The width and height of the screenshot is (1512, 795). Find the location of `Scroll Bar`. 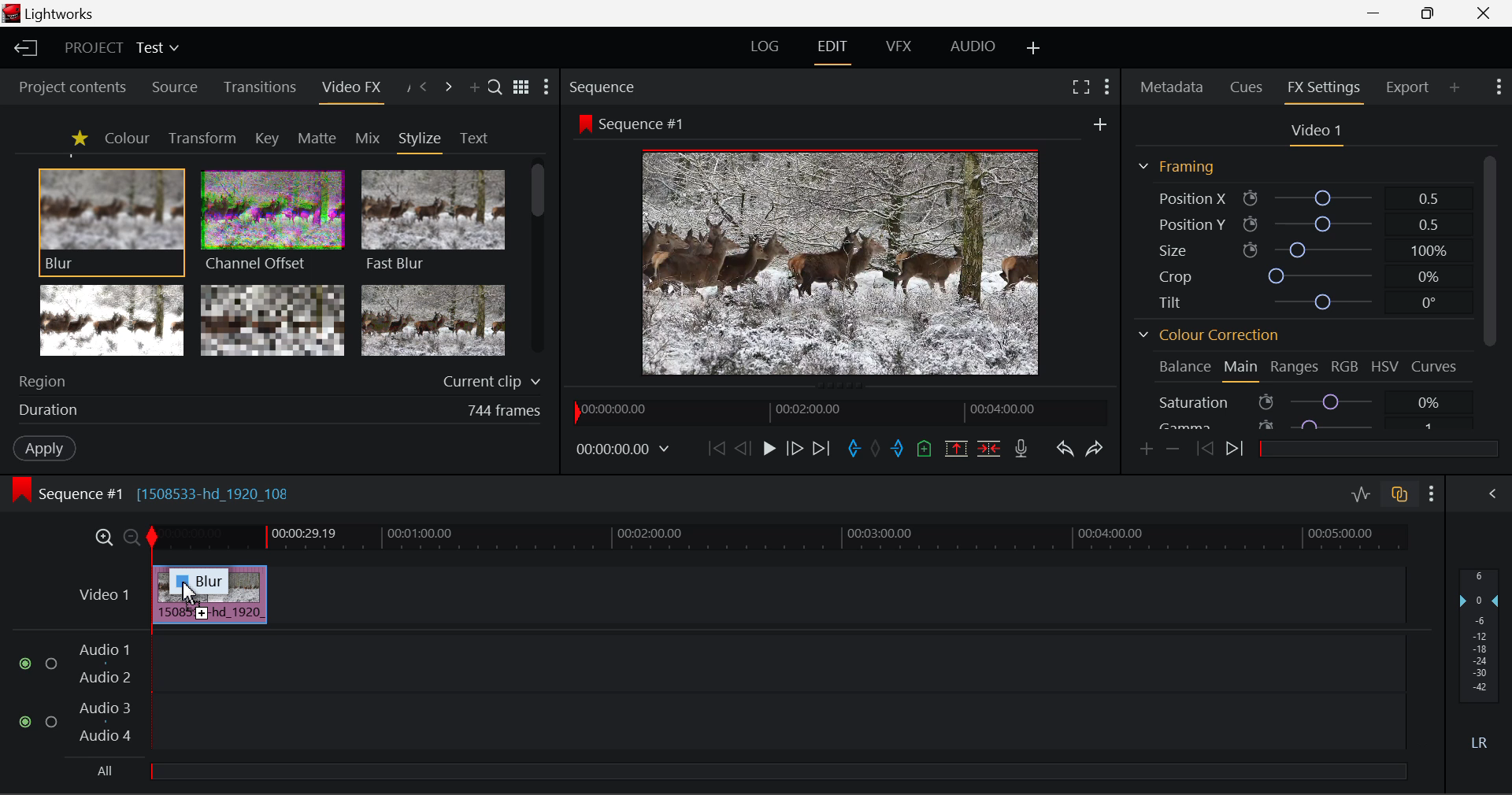

Scroll Bar is located at coordinates (1488, 250).